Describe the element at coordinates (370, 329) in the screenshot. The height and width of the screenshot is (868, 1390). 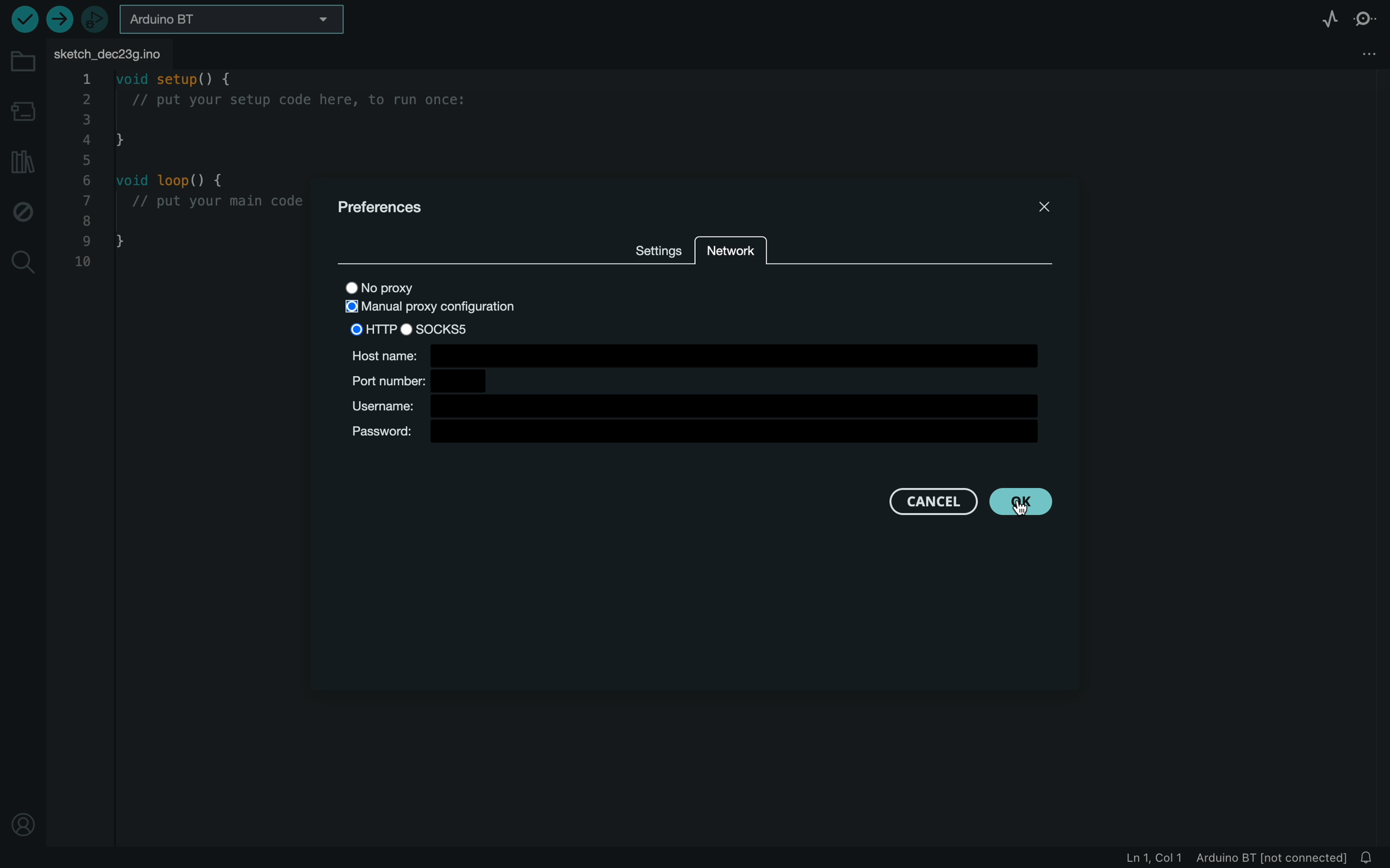
I see `HTTP` at that location.